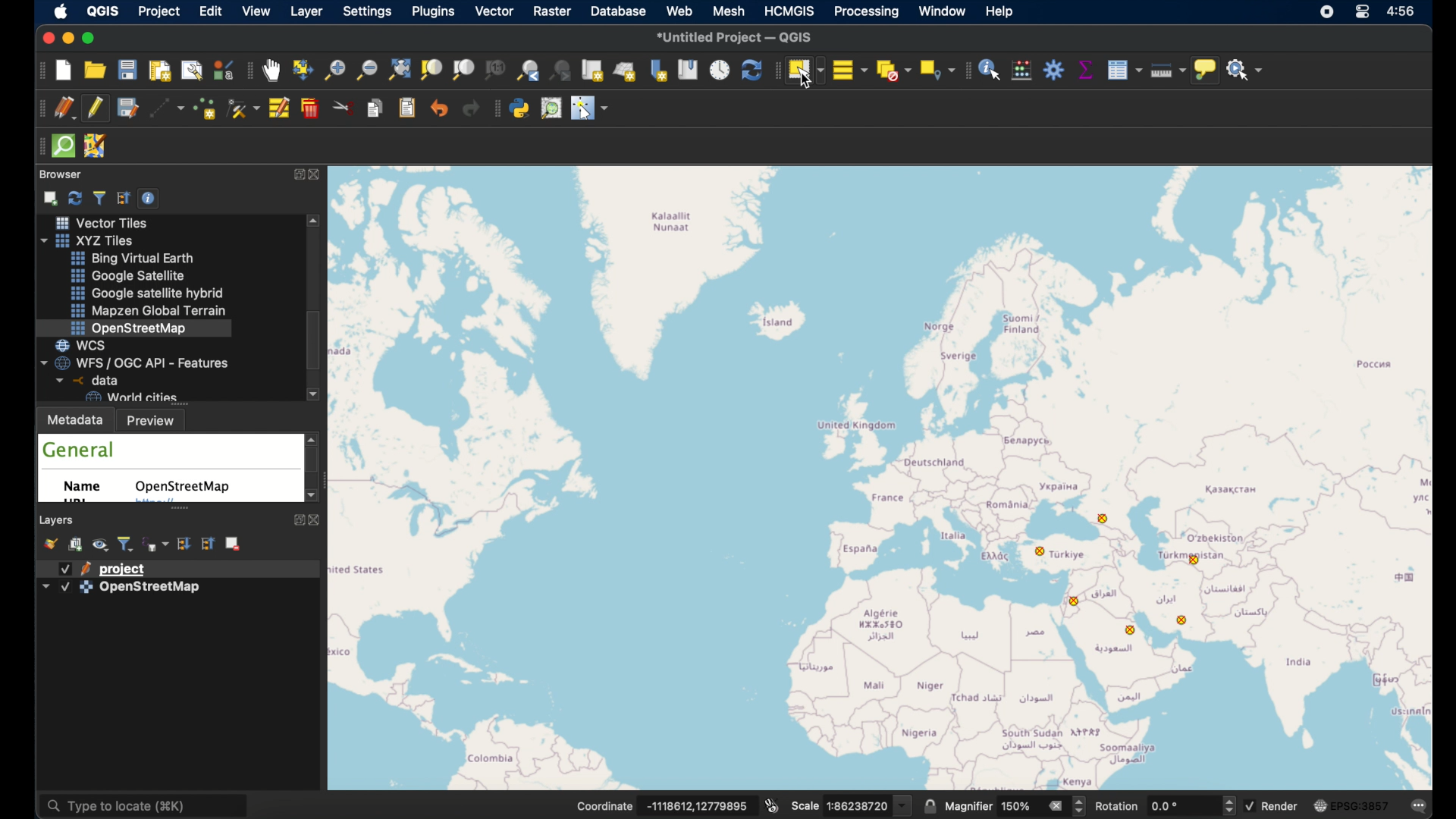 The image size is (1456, 819). Describe the element at coordinates (553, 108) in the screenshot. I see `osm place search` at that location.